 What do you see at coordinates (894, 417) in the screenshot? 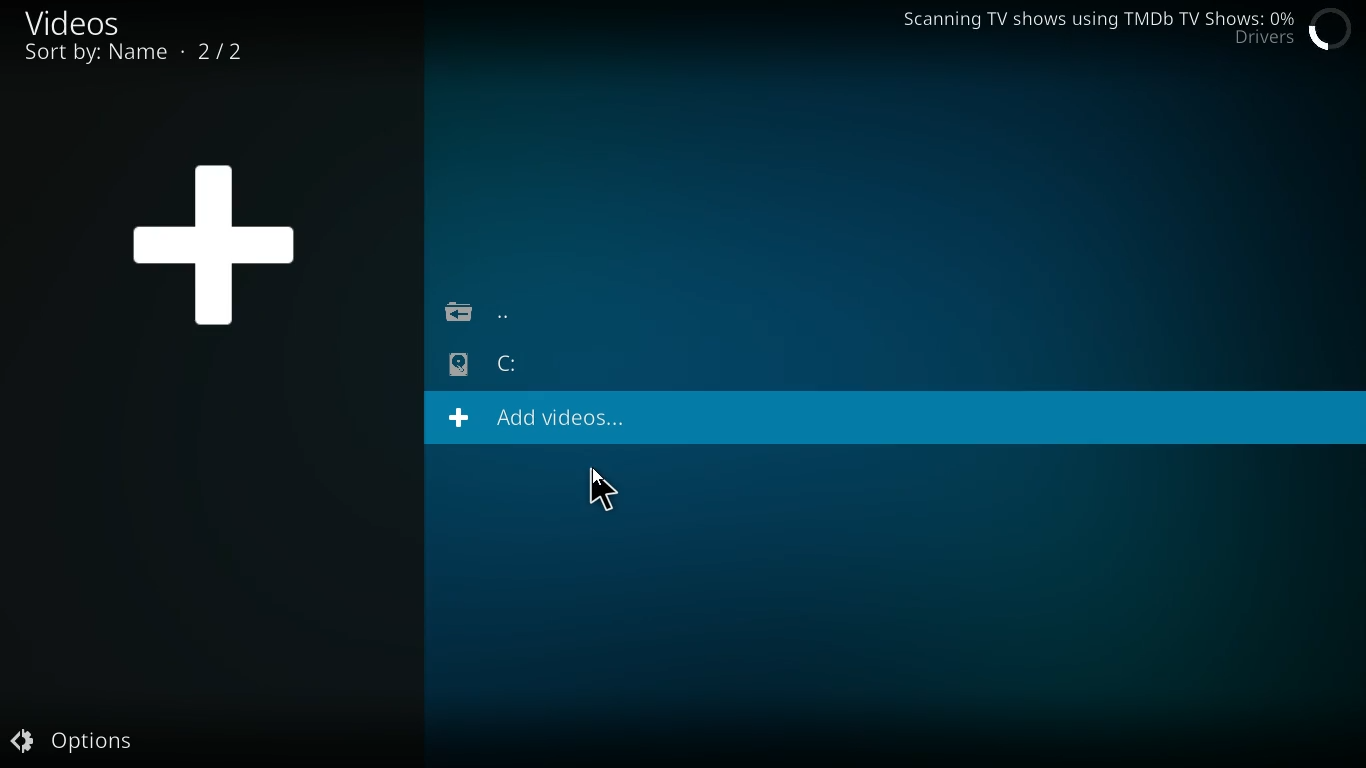
I see `+ Add videos...` at bounding box center [894, 417].